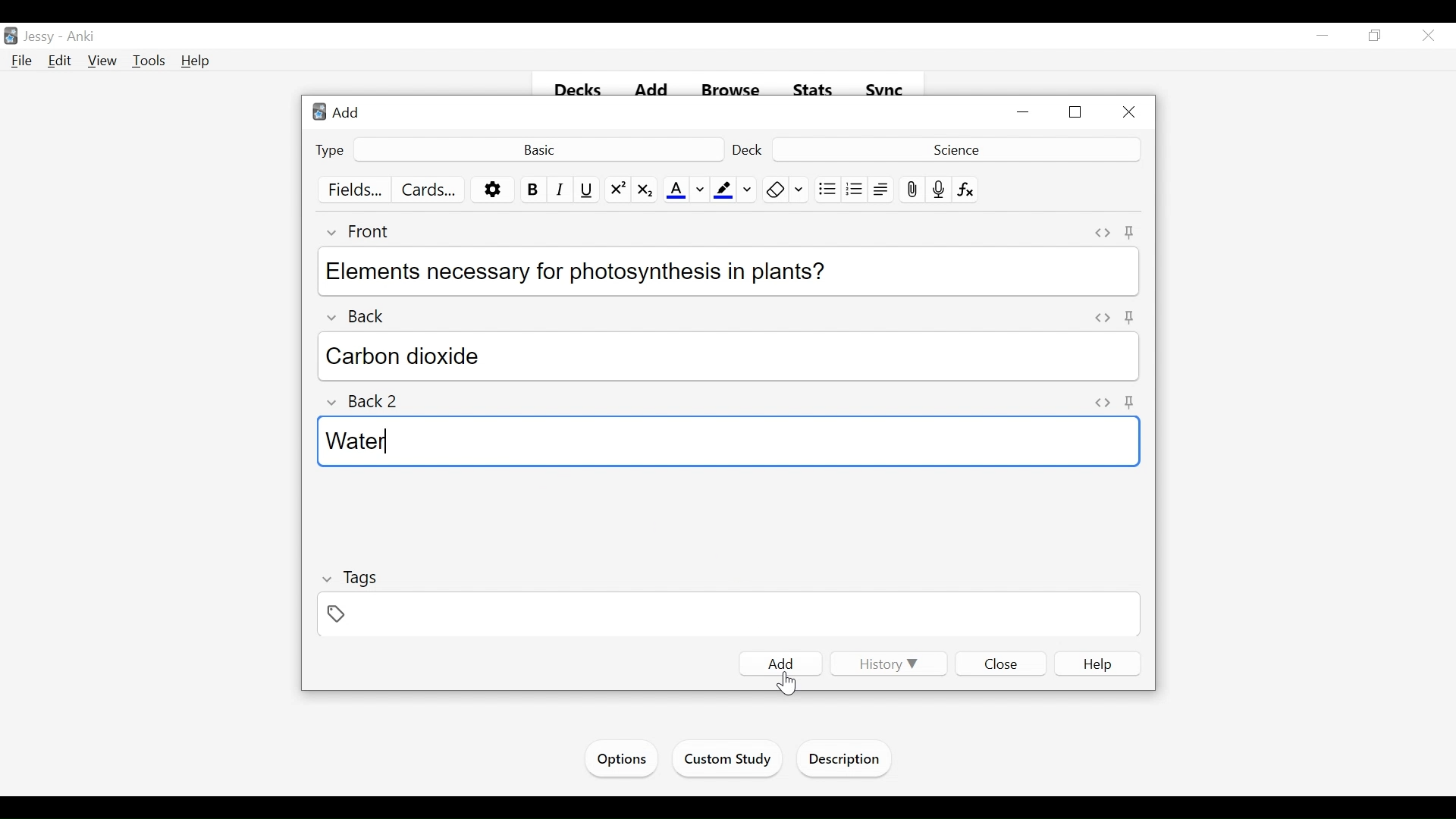 This screenshot has width=1456, height=819. What do you see at coordinates (731, 356) in the screenshot?
I see `Carbon Dioxide` at bounding box center [731, 356].